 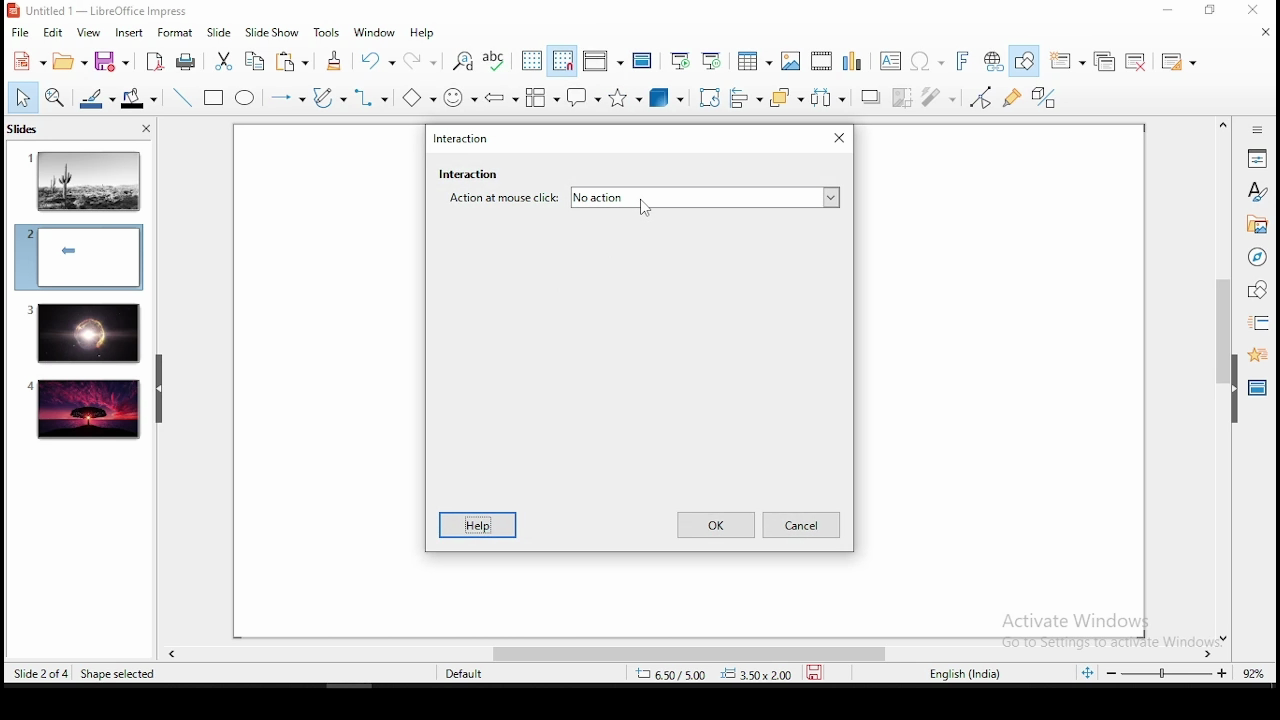 I want to click on format, so click(x=174, y=32).